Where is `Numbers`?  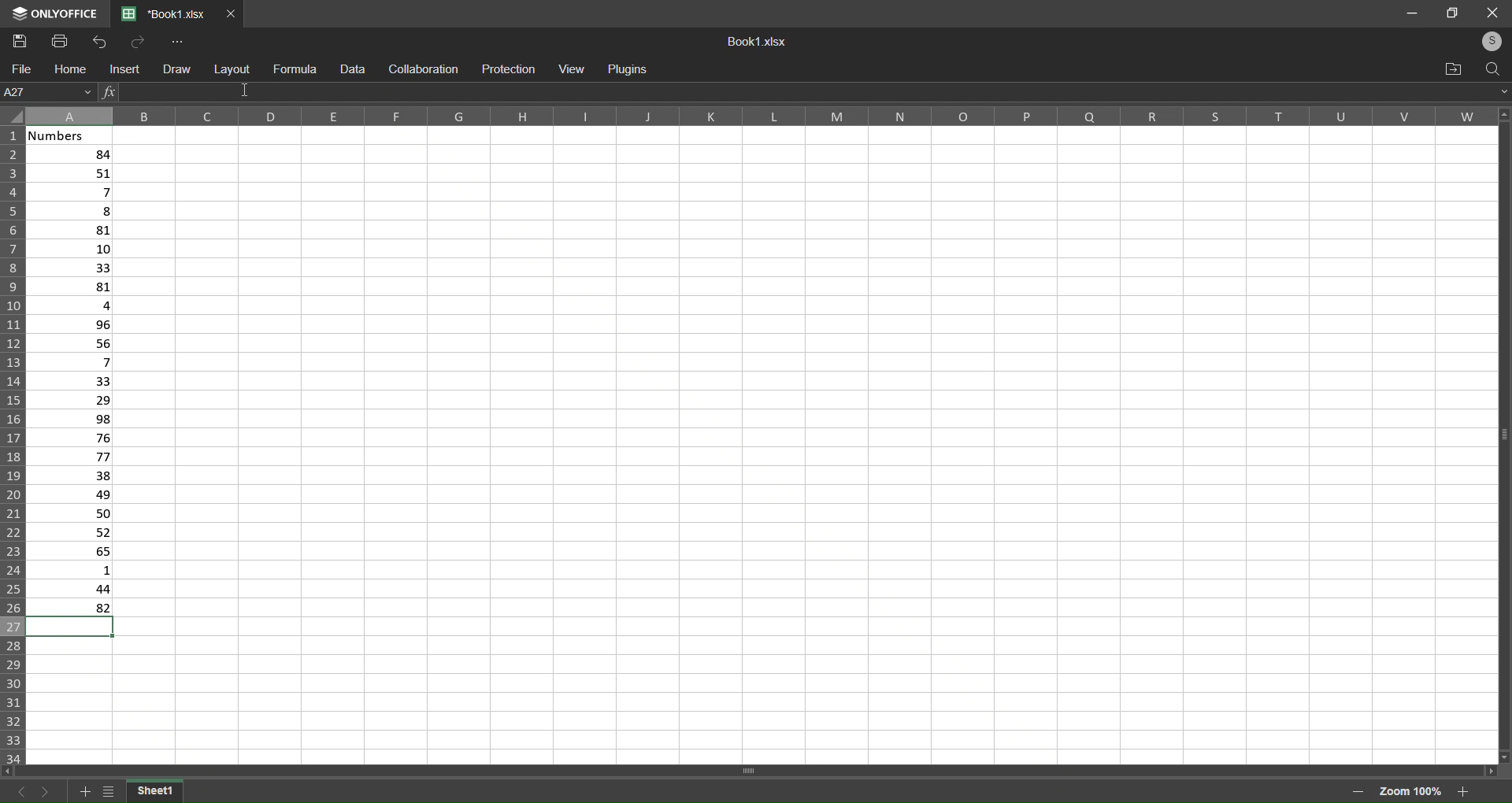 Numbers is located at coordinates (73, 135).